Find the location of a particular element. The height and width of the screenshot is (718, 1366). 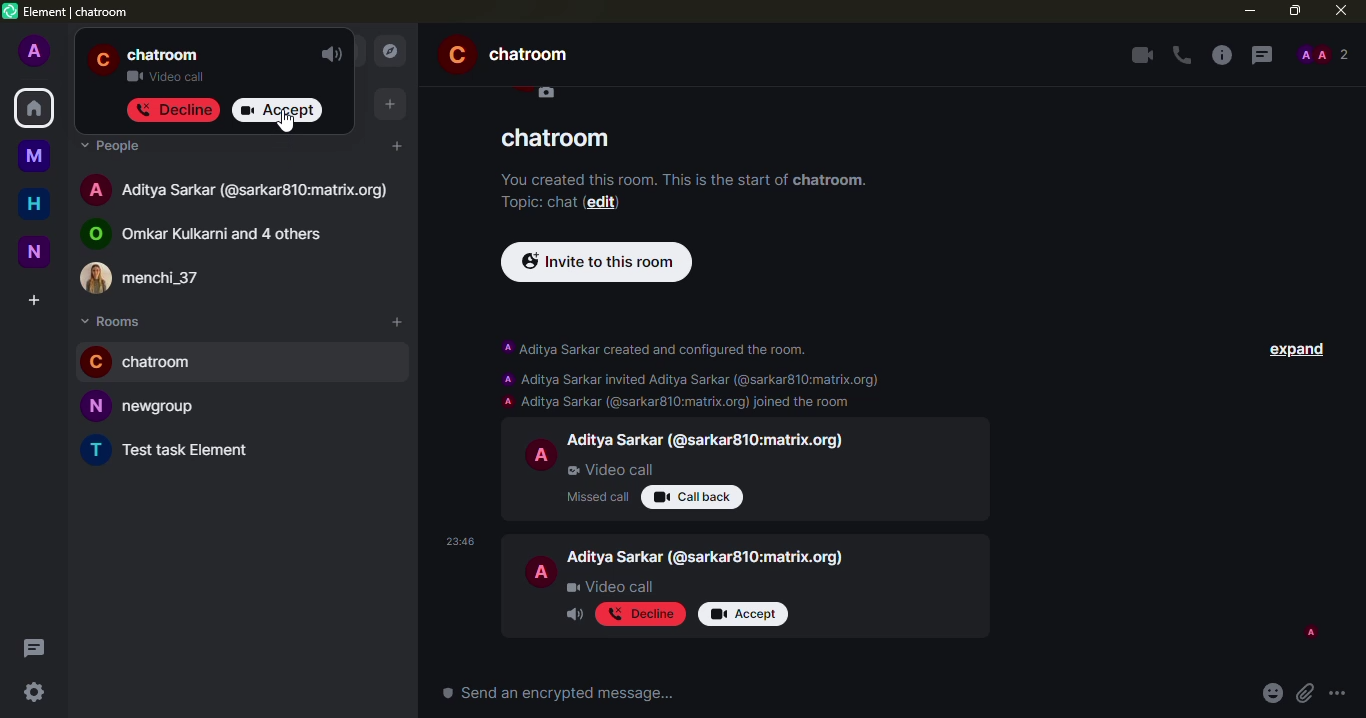

new is located at coordinates (35, 250).